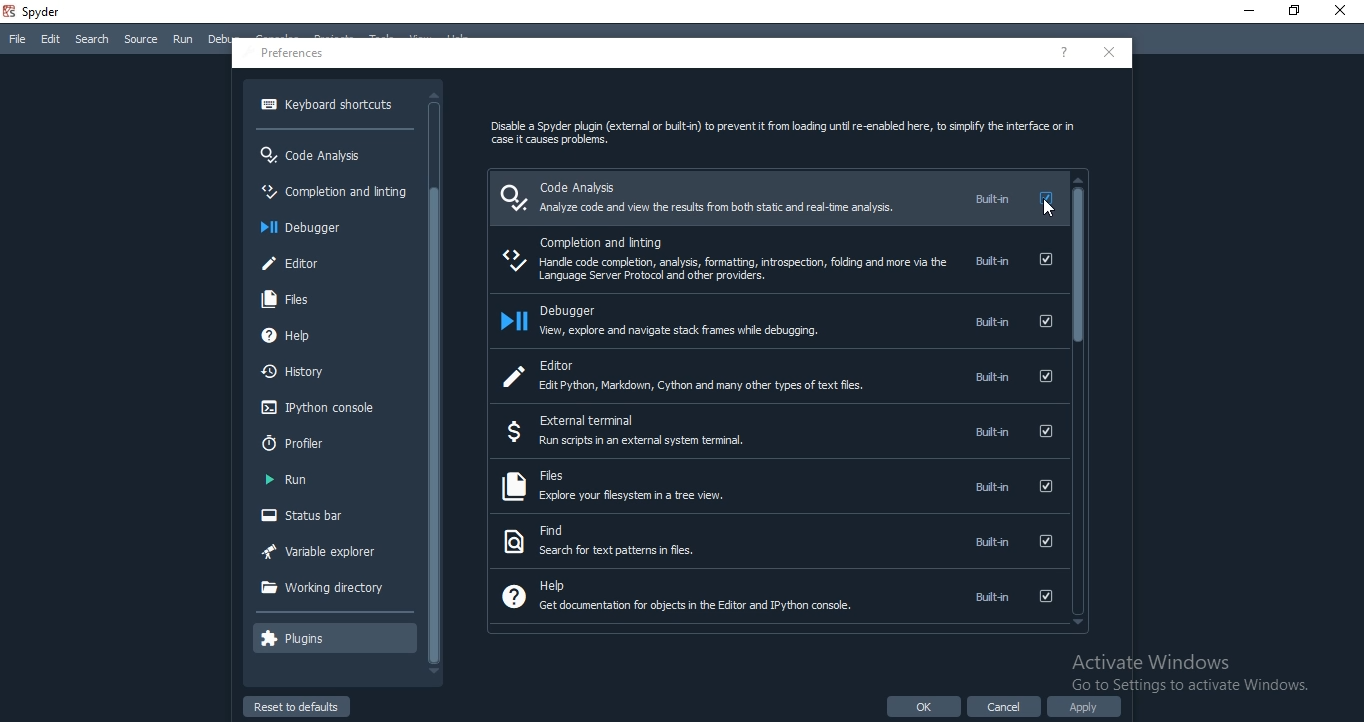  I want to click on Edit, so click(50, 40).